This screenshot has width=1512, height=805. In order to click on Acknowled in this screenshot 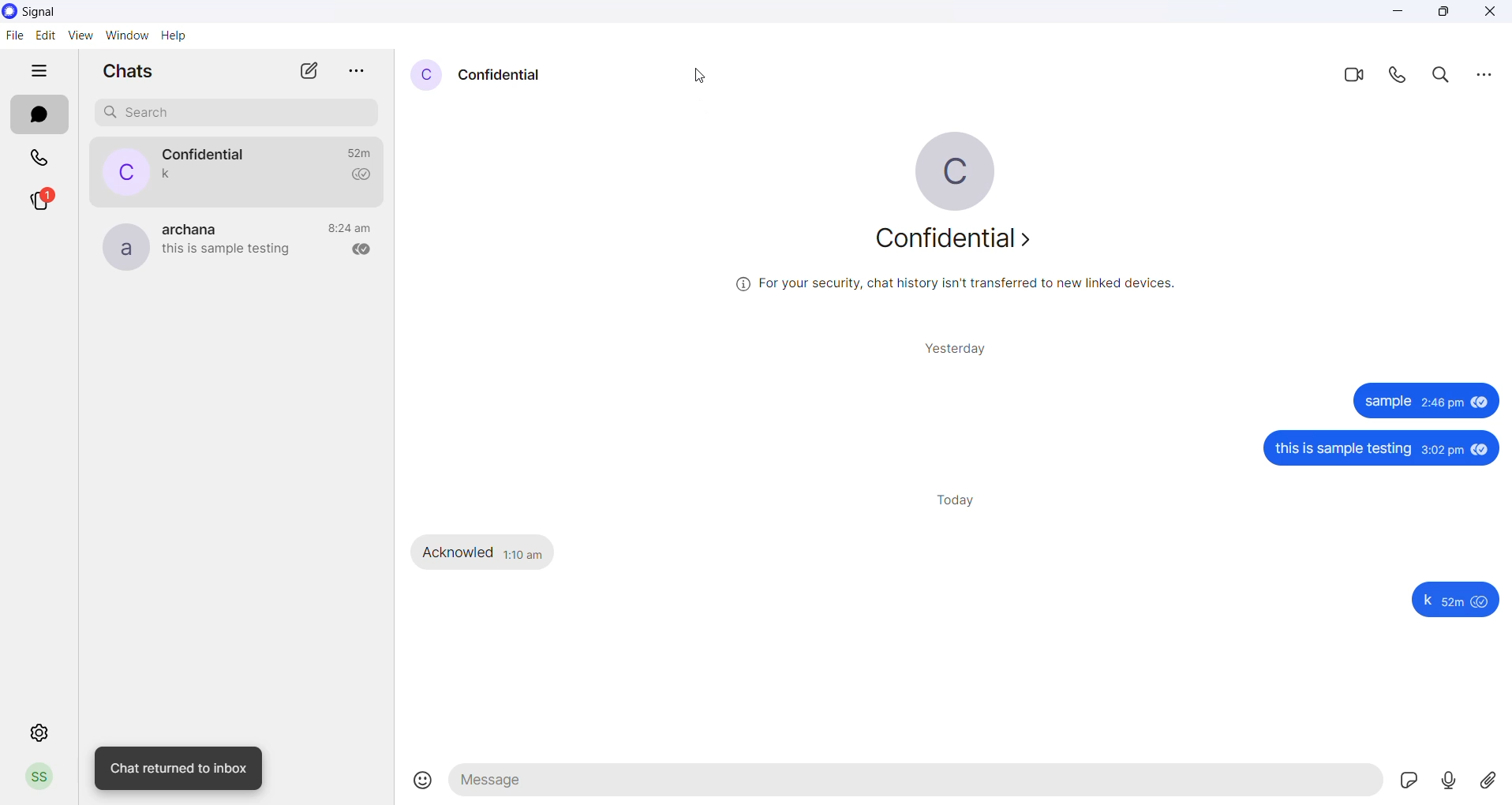, I will do `click(458, 552)`.